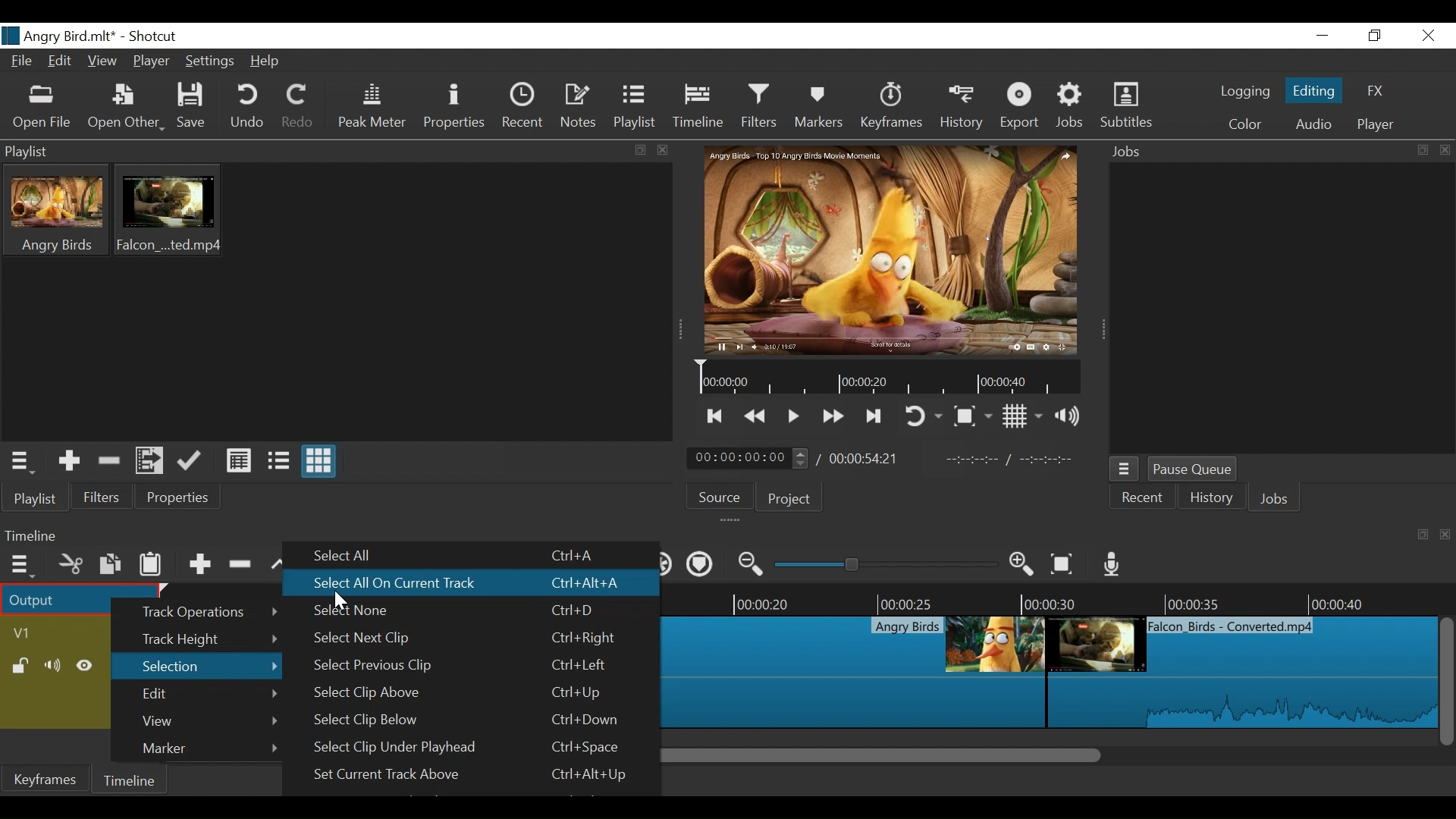 Image resolution: width=1456 pixels, height=819 pixels. I want to click on Select Clip Above, so click(481, 692).